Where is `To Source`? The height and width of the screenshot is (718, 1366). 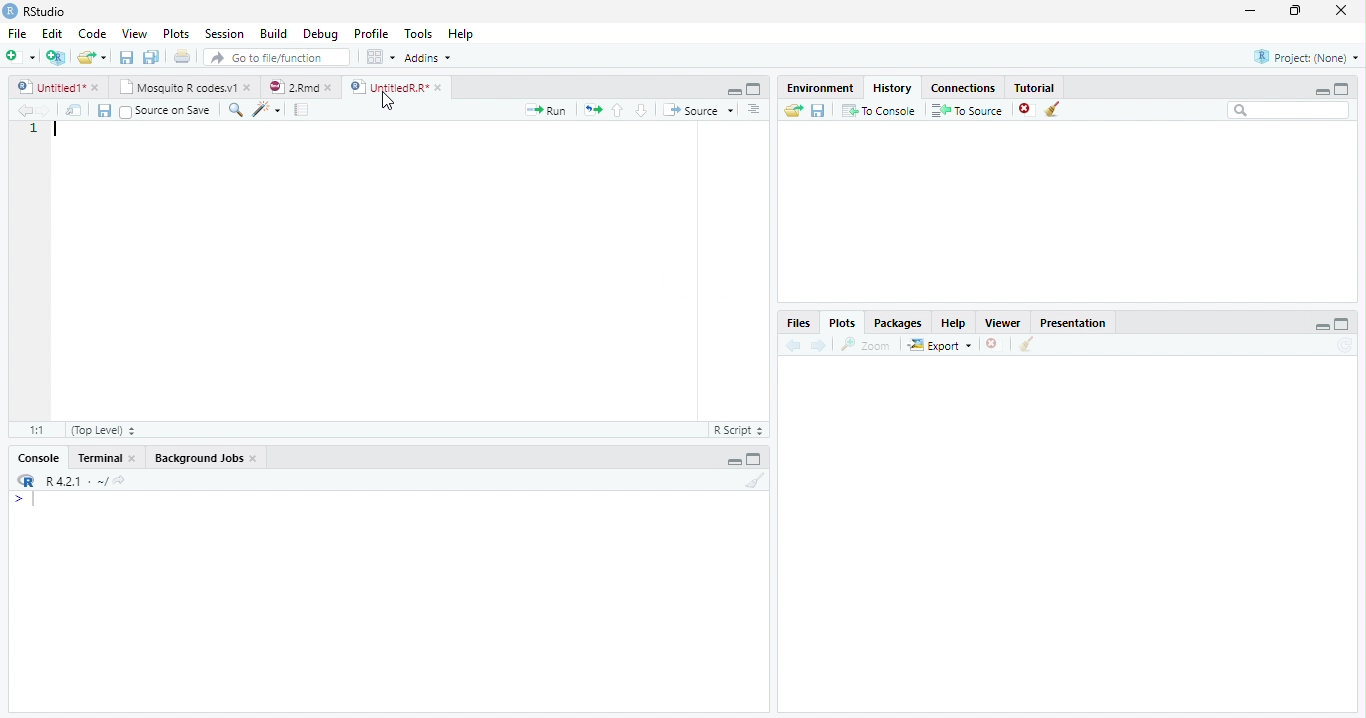
To Source is located at coordinates (968, 110).